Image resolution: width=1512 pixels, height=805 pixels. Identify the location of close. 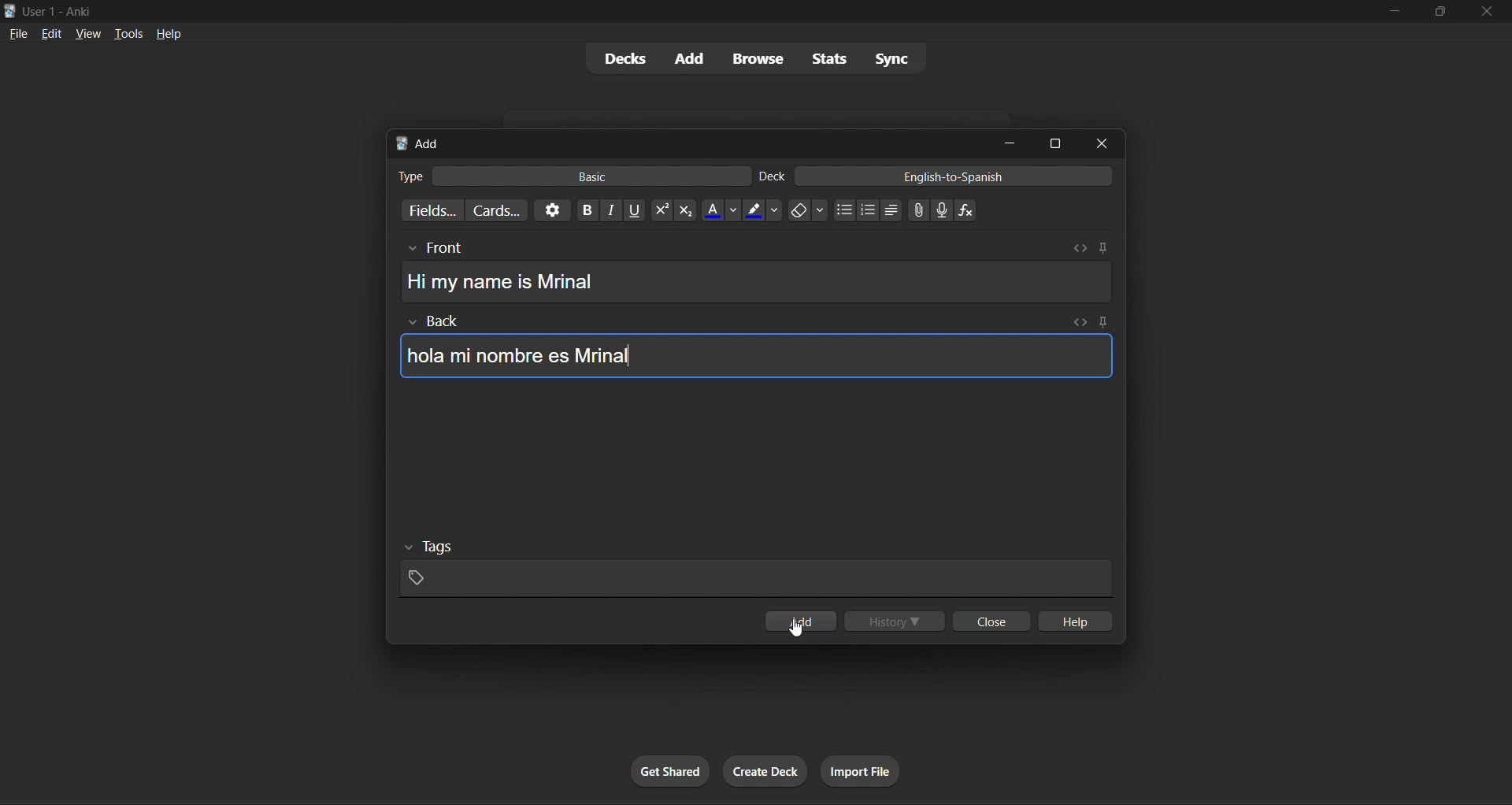
(1485, 13).